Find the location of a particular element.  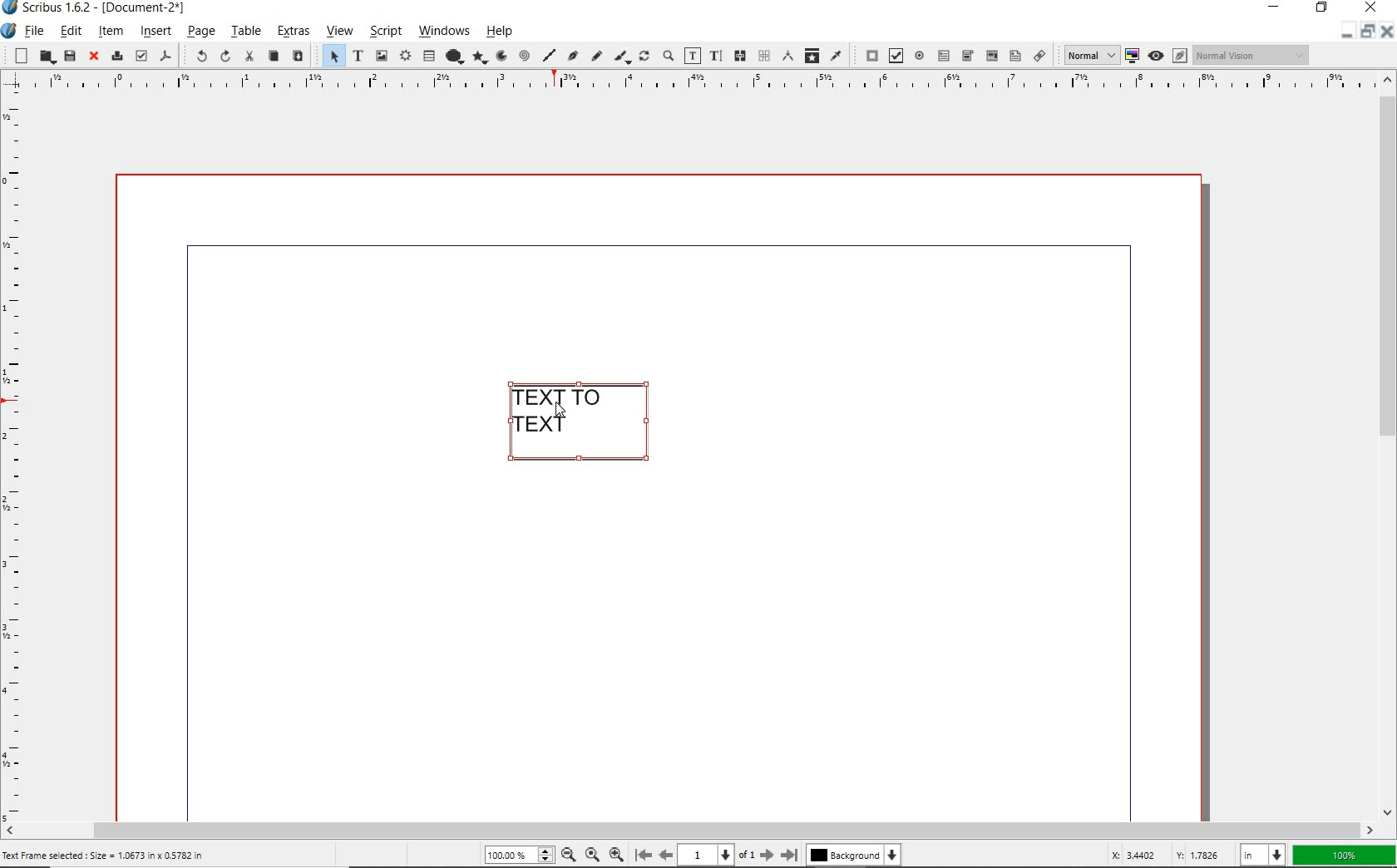

rotate item is located at coordinates (643, 57).